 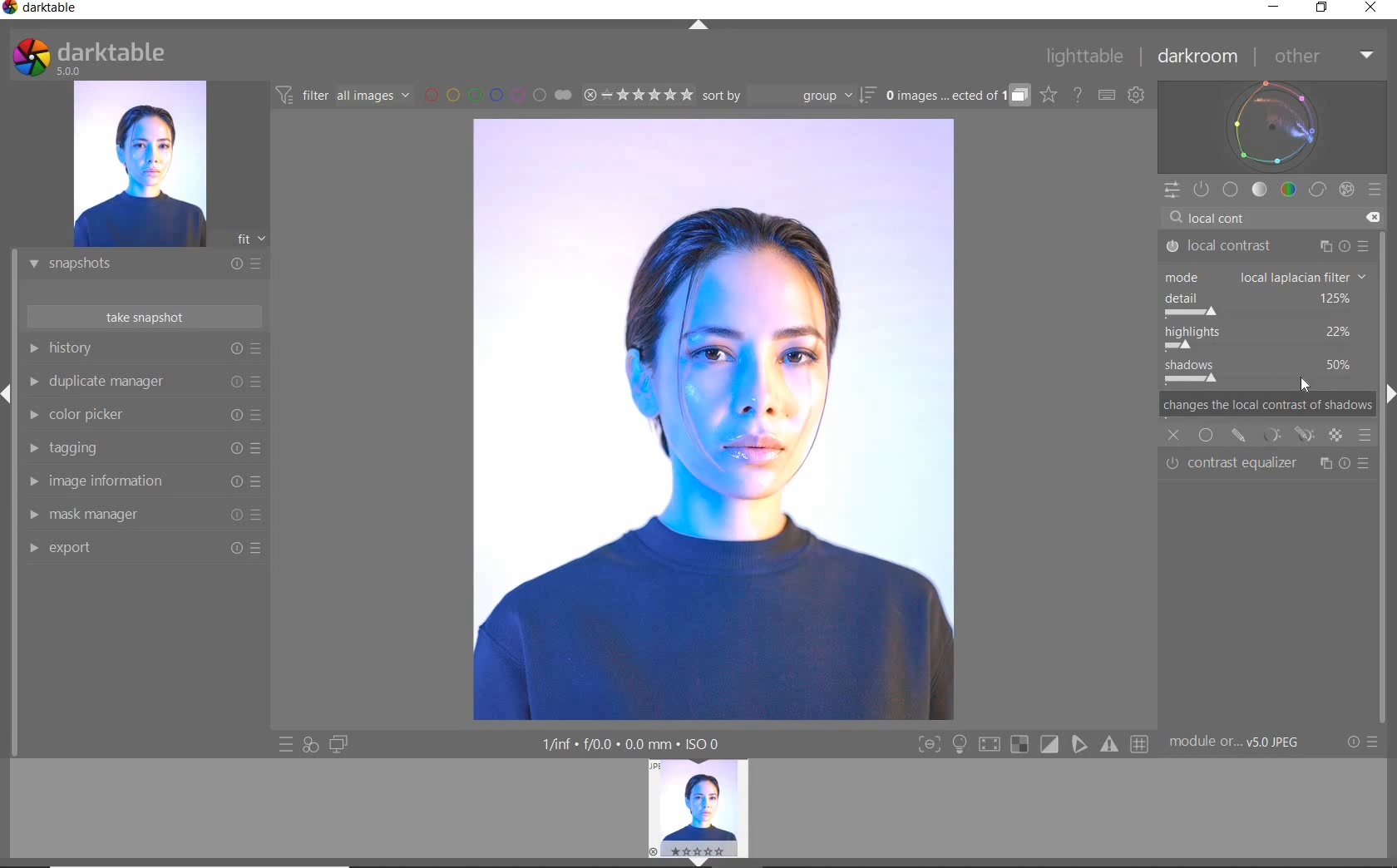 I want to click on CORRECT, so click(x=1319, y=191).